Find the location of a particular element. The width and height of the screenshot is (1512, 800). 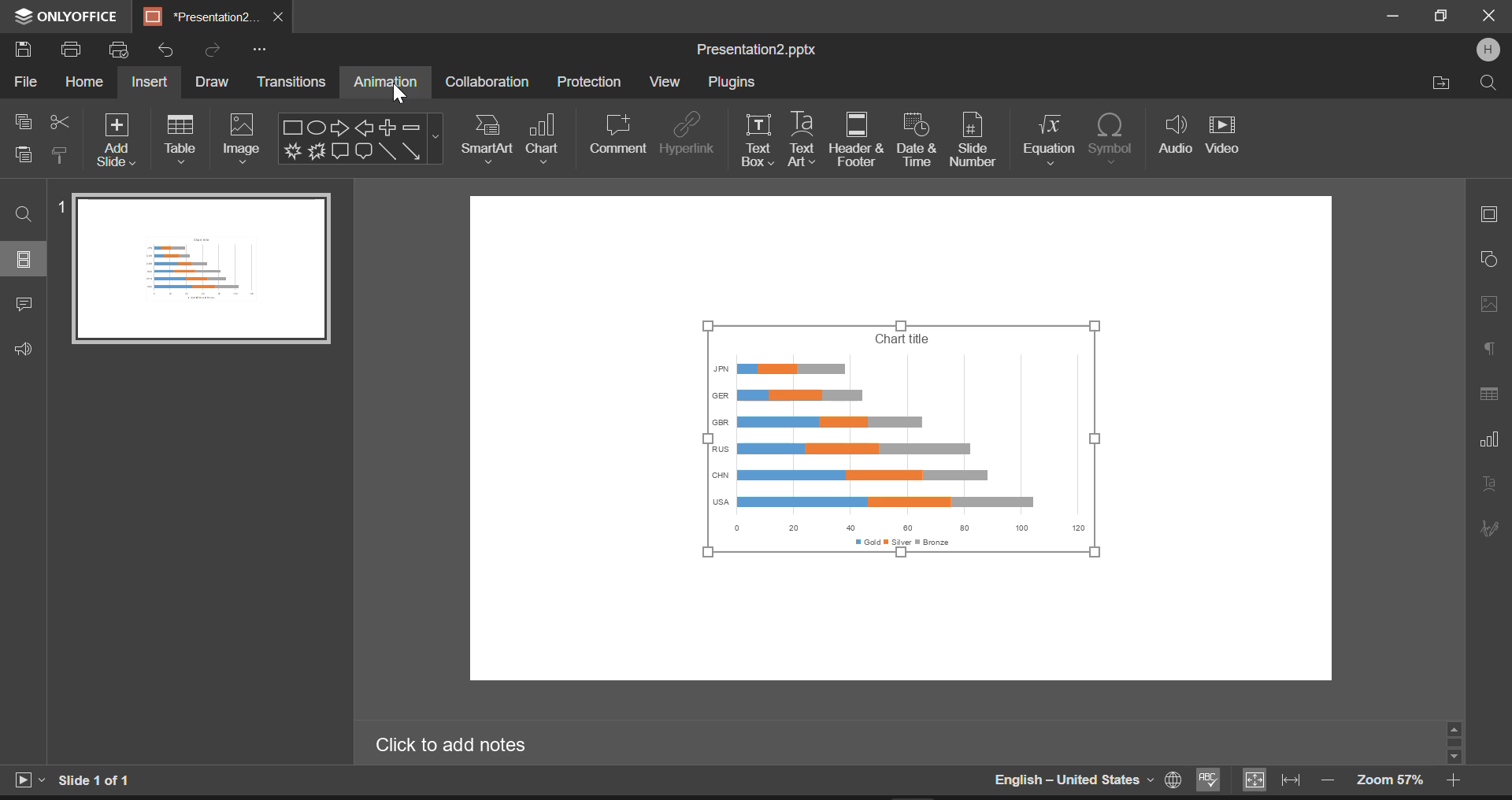

Close Tab is located at coordinates (280, 17).